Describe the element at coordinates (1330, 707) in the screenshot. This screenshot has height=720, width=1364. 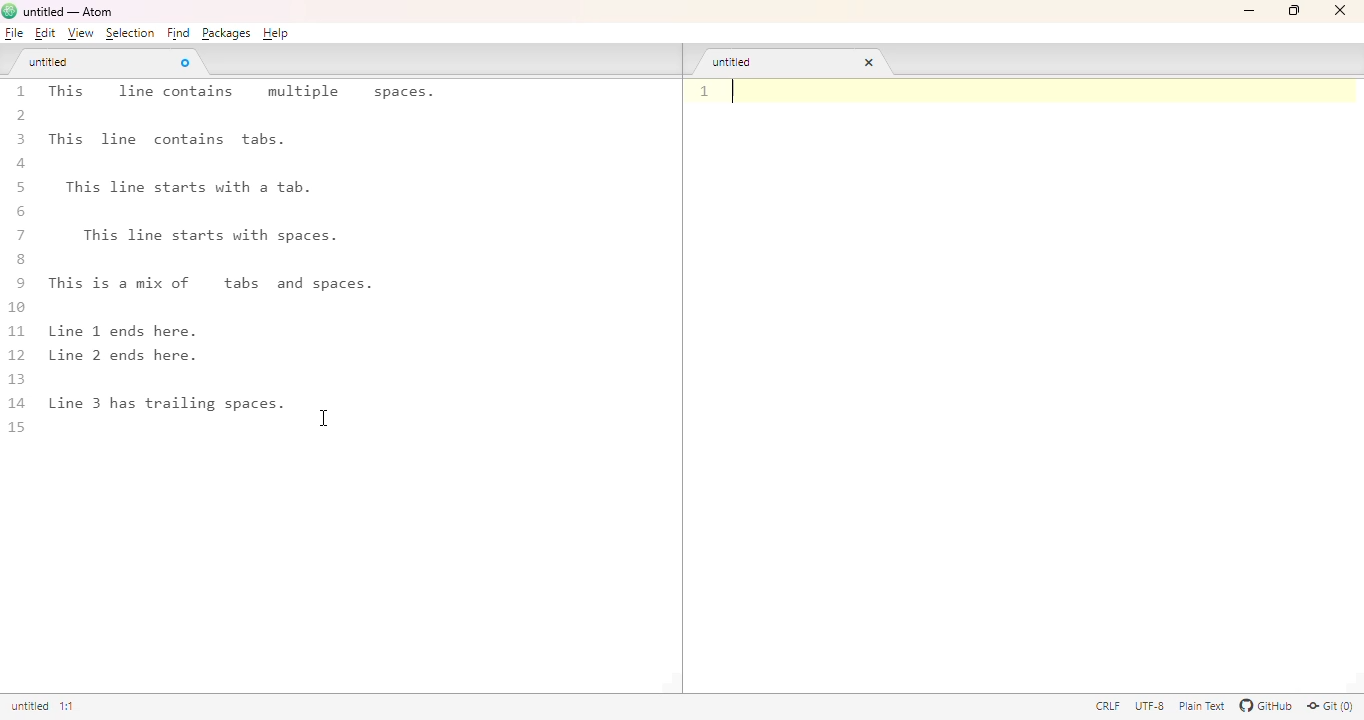
I see `git(0)` at that location.